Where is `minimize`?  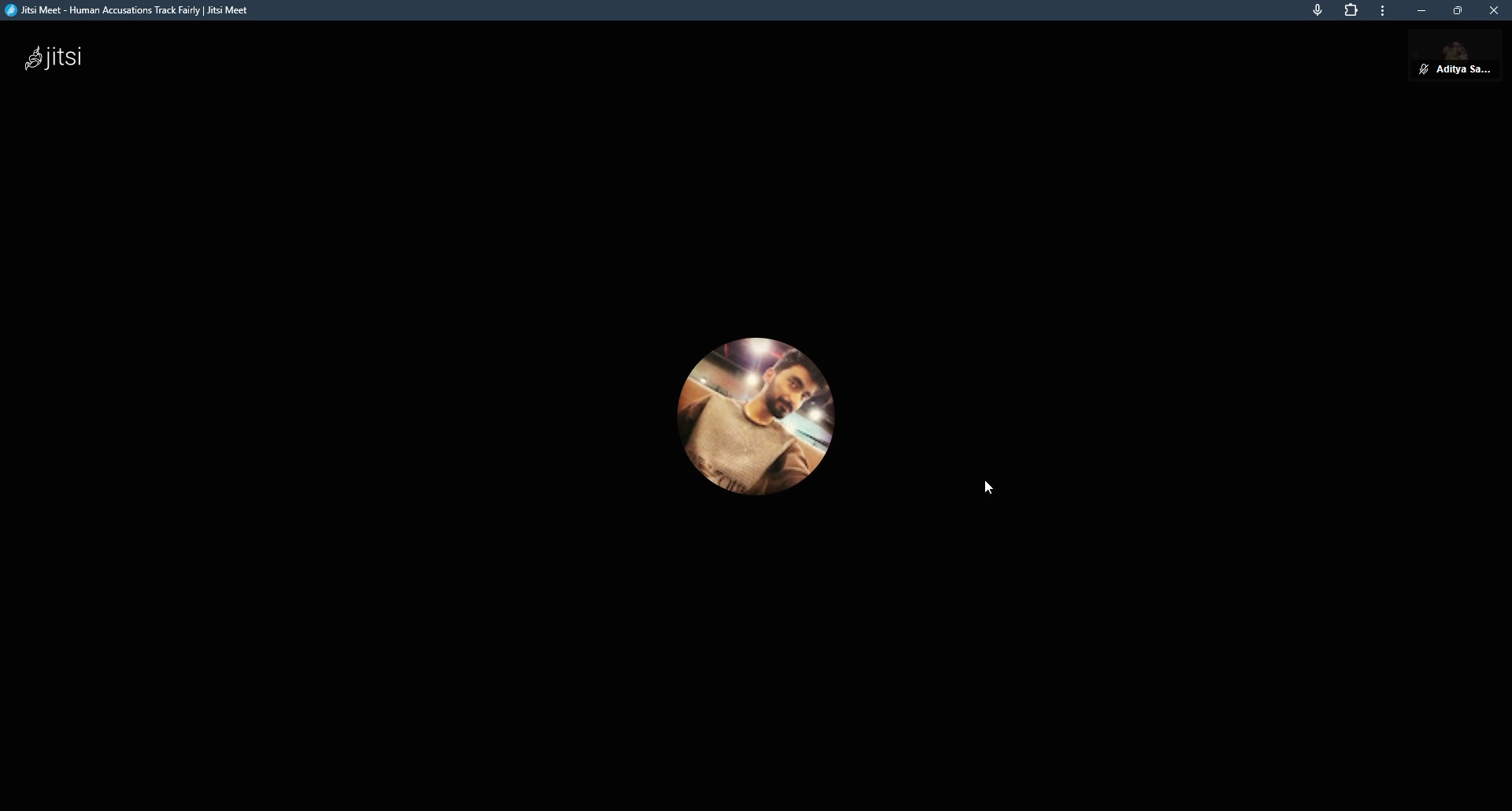
minimize is located at coordinates (1424, 12).